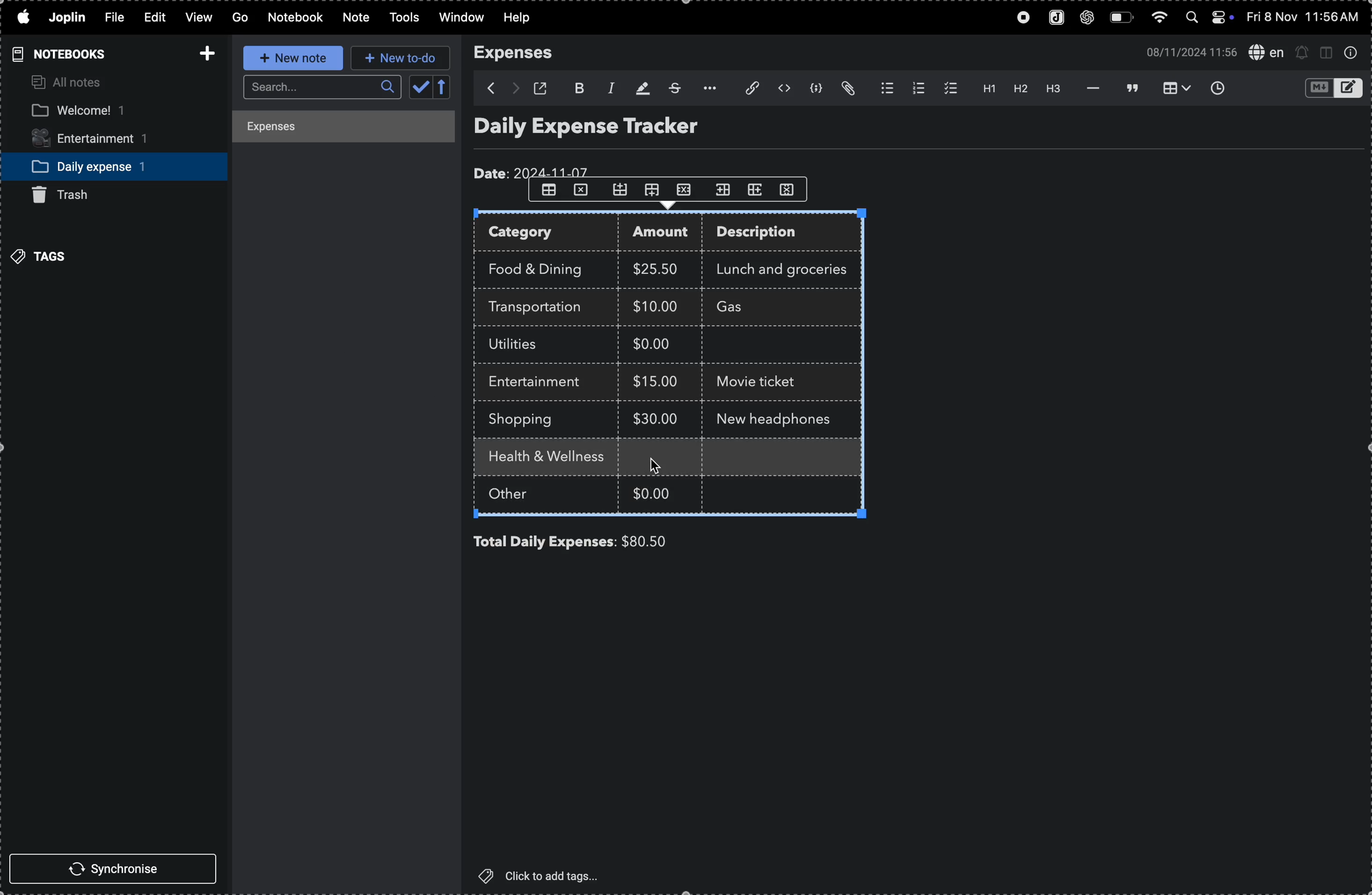 The image size is (1372, 895). What do you see at coordinates (1171, 88) in the screenshot?
I see `table view` at bounding box center [1171, 88].